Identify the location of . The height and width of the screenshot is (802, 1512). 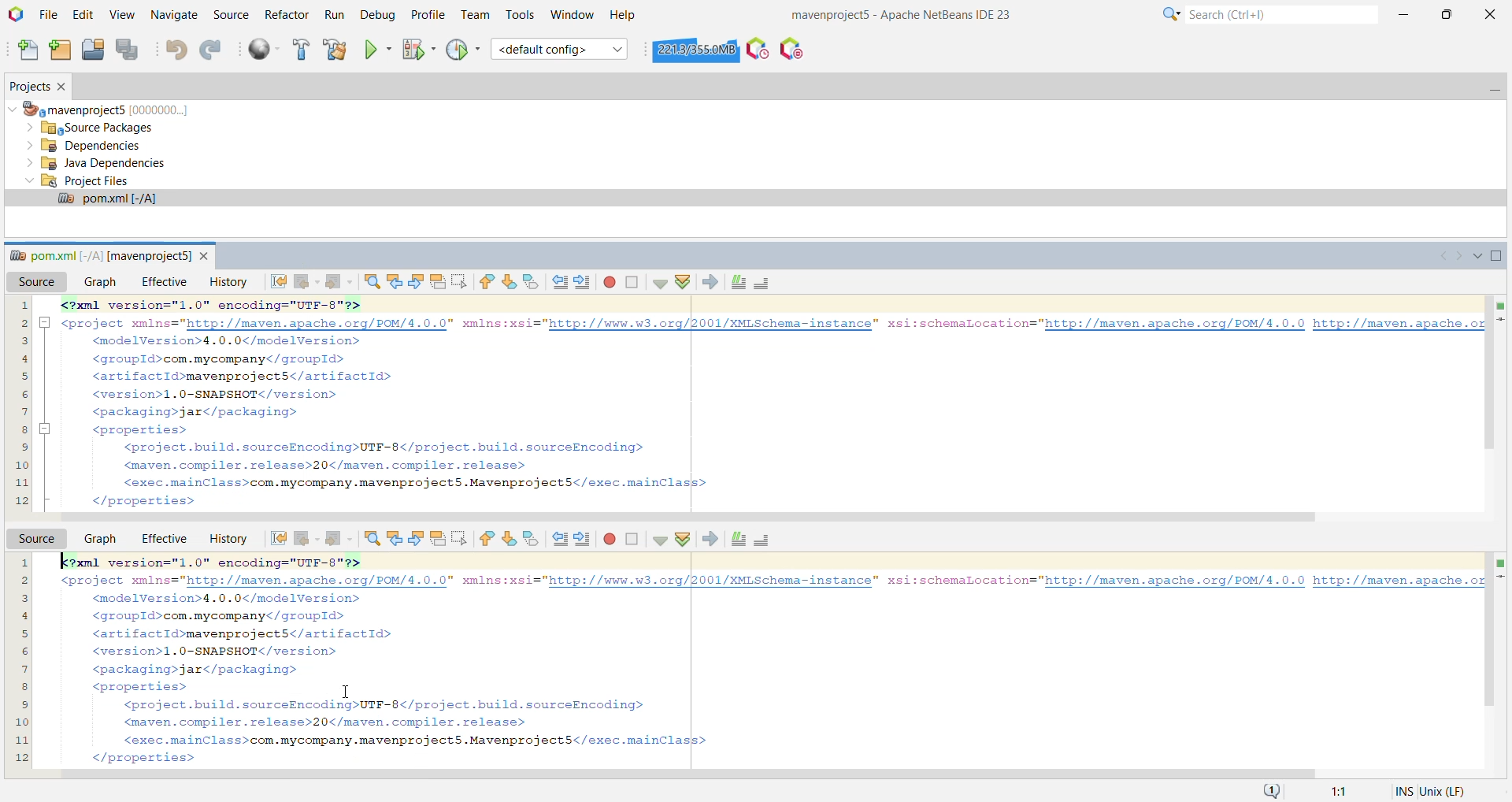
(1343, 793).